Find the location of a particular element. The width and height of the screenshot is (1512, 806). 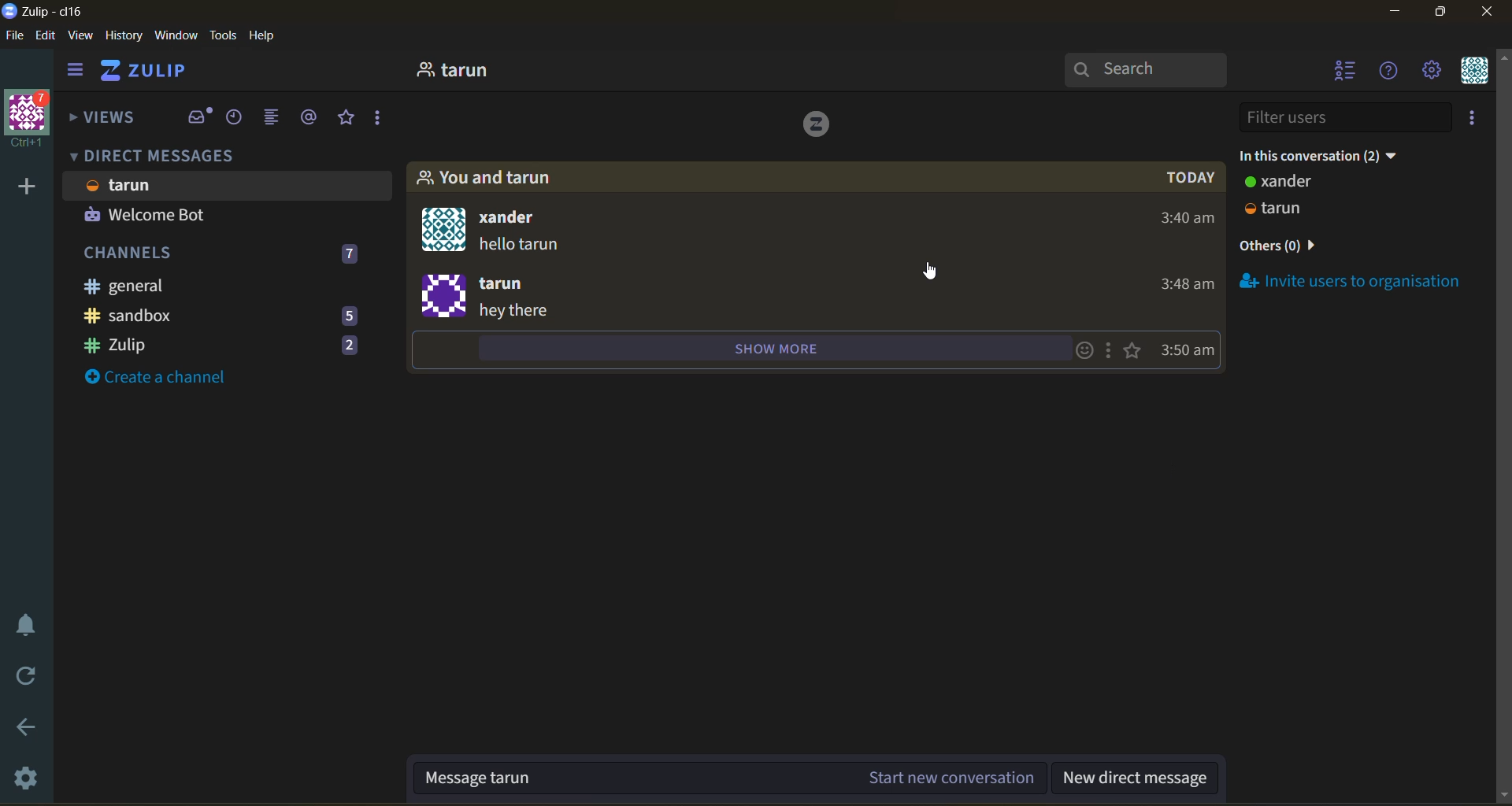

message actions is located at coordinates (1108, 353).